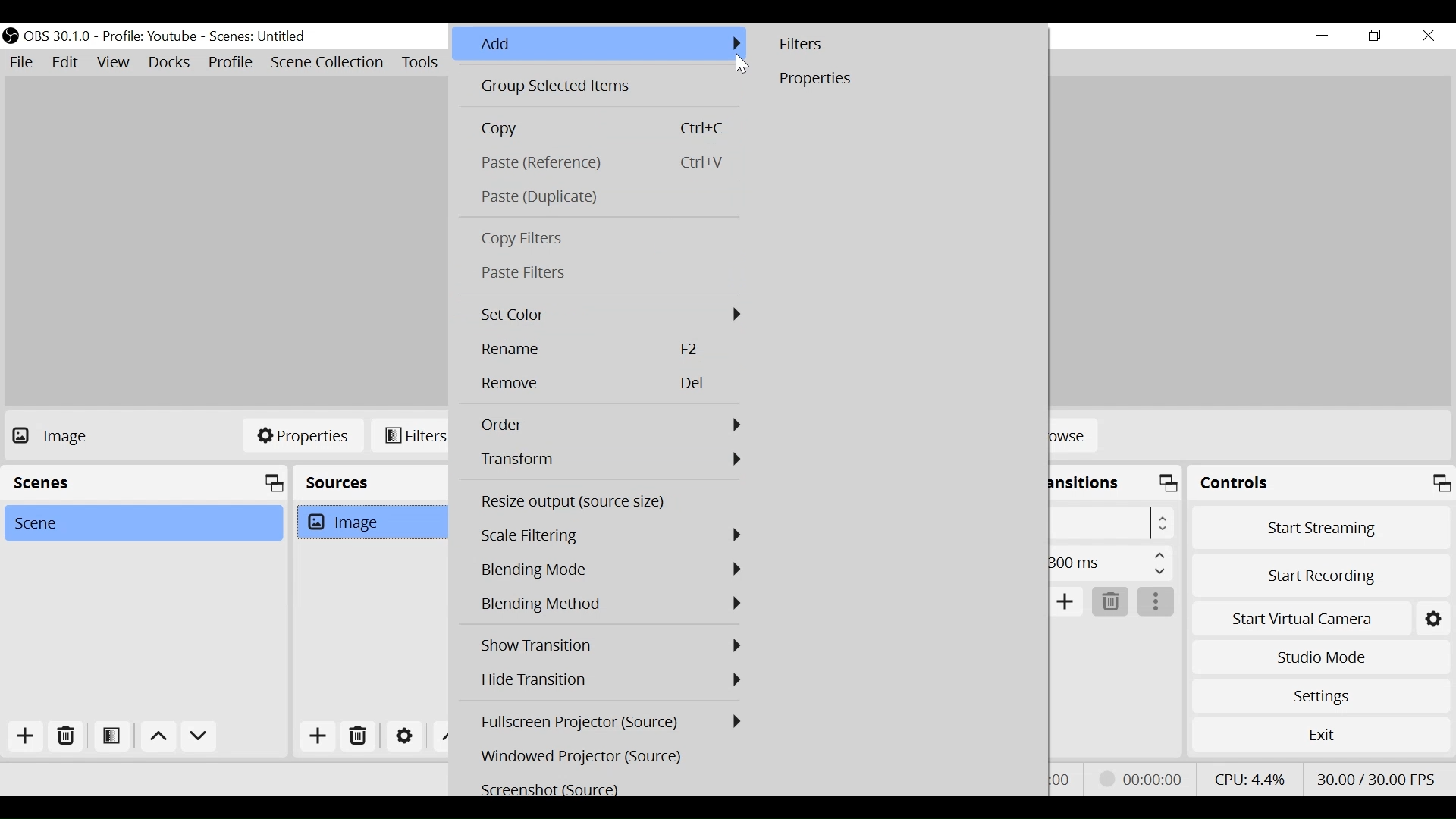 The width and height of the screenshot is (1456, 819). What do you see at coordinates (21, 64) in the screenshot?
I see `File` at bounding box center [21, 64].